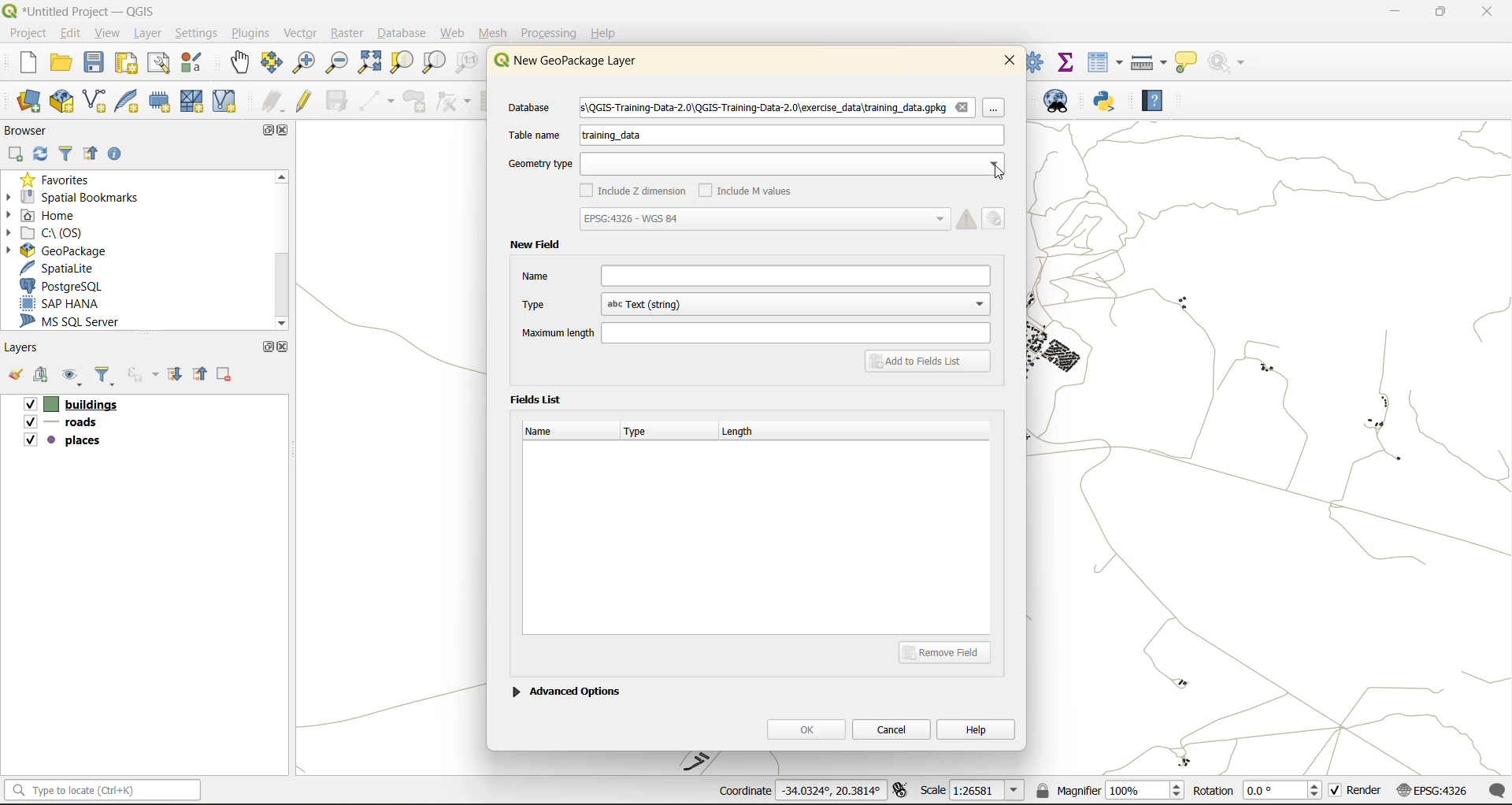  Describe the element at coordinates (267, 347) in the screenshot. I see `maximize` at that location.